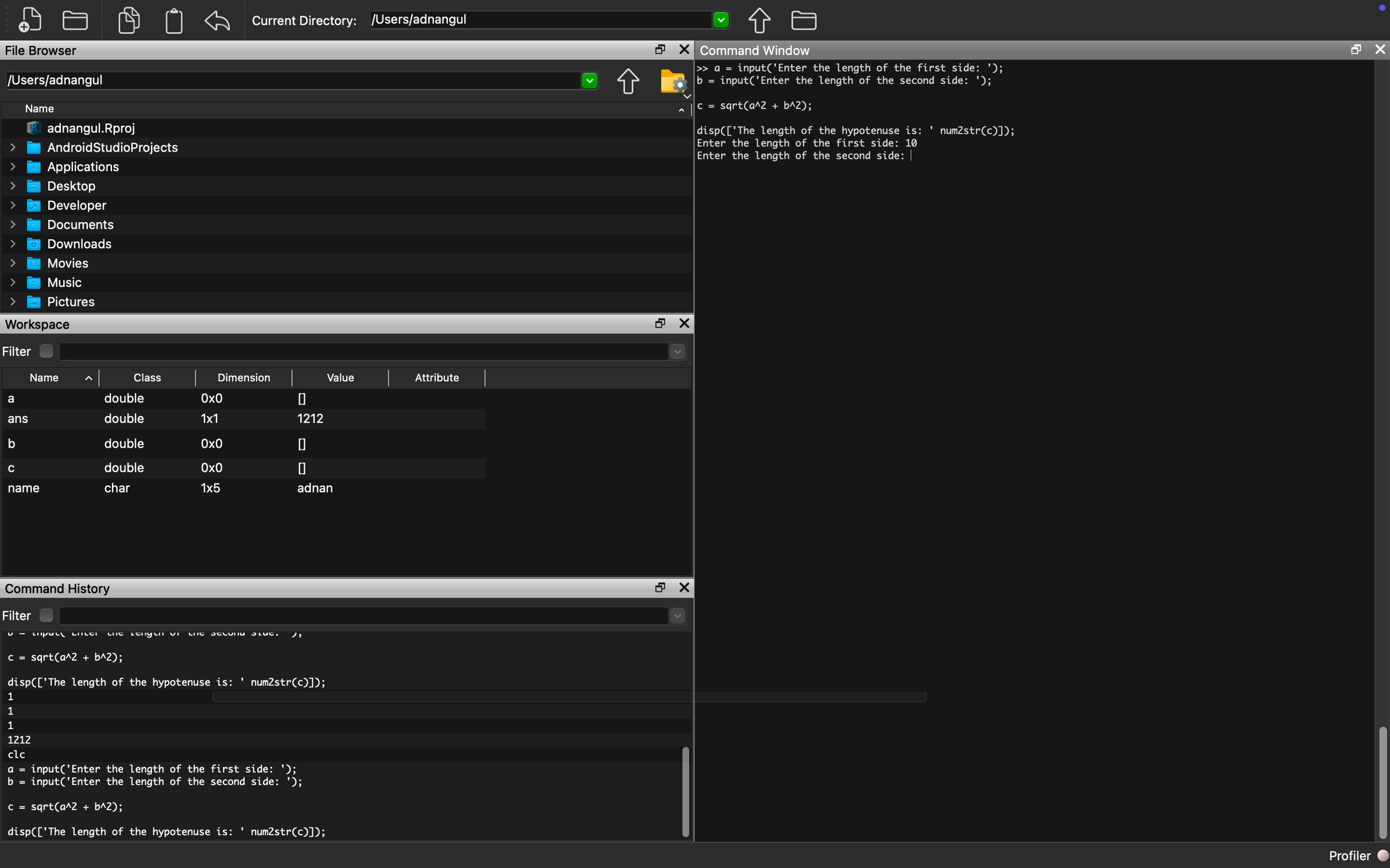  Describe the element at coordinates (306, 22) in the screenshot. I see `Current Directory:` at that location.